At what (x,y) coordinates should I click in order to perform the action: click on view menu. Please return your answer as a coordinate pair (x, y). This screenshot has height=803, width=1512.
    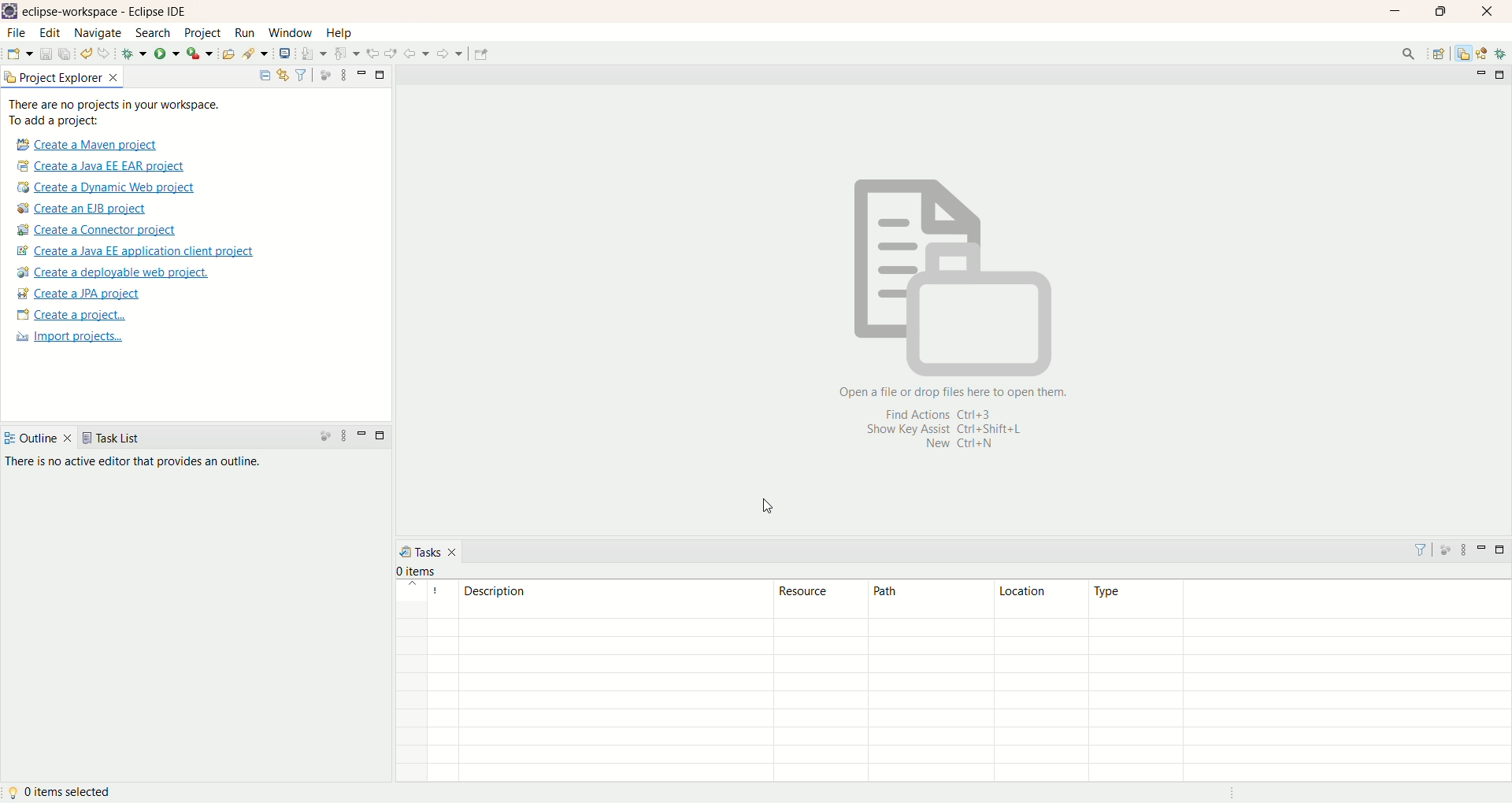
    Looking at the image, I should click on (345, 434).